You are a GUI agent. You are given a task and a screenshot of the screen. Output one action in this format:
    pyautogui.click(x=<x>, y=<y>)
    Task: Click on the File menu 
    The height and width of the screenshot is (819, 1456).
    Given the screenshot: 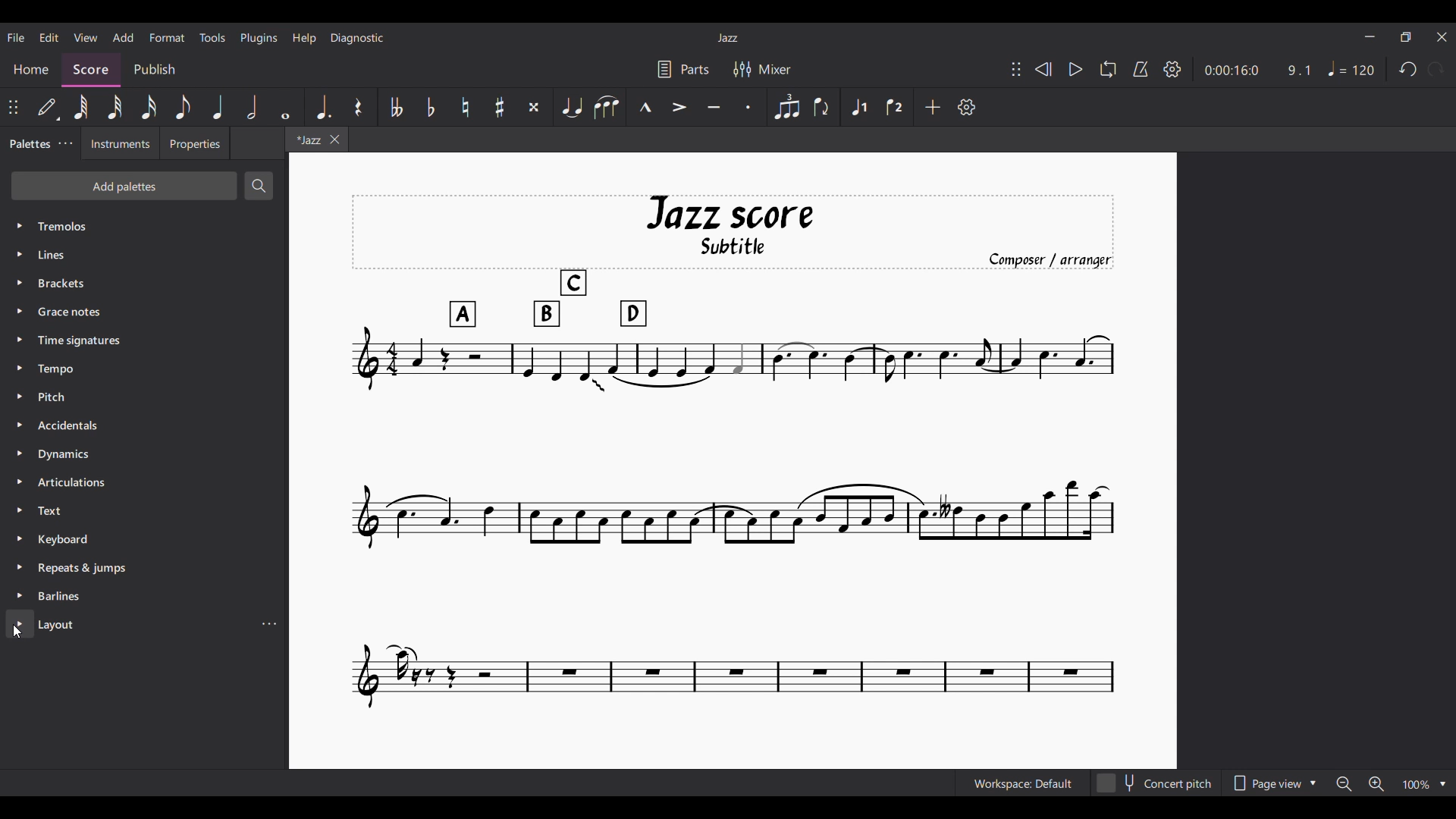 What is the action you would take?
    pyautogui.click(x=16, y=38)
    